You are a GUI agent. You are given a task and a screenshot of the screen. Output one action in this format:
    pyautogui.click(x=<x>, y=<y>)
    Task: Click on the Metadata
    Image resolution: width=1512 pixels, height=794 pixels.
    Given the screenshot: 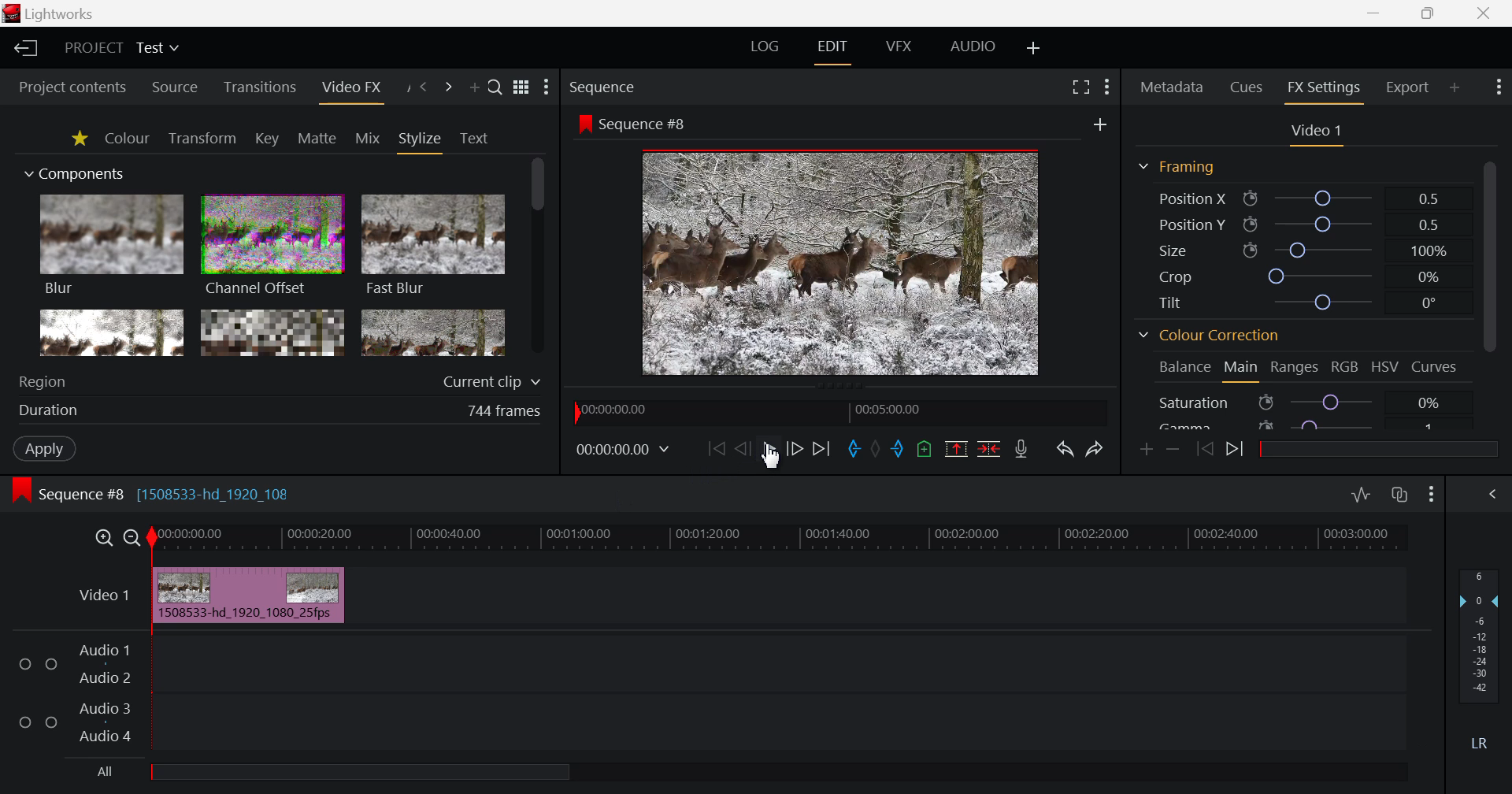 What is the action you would take?
    pyautogui.click(x=1170, y=88)
    